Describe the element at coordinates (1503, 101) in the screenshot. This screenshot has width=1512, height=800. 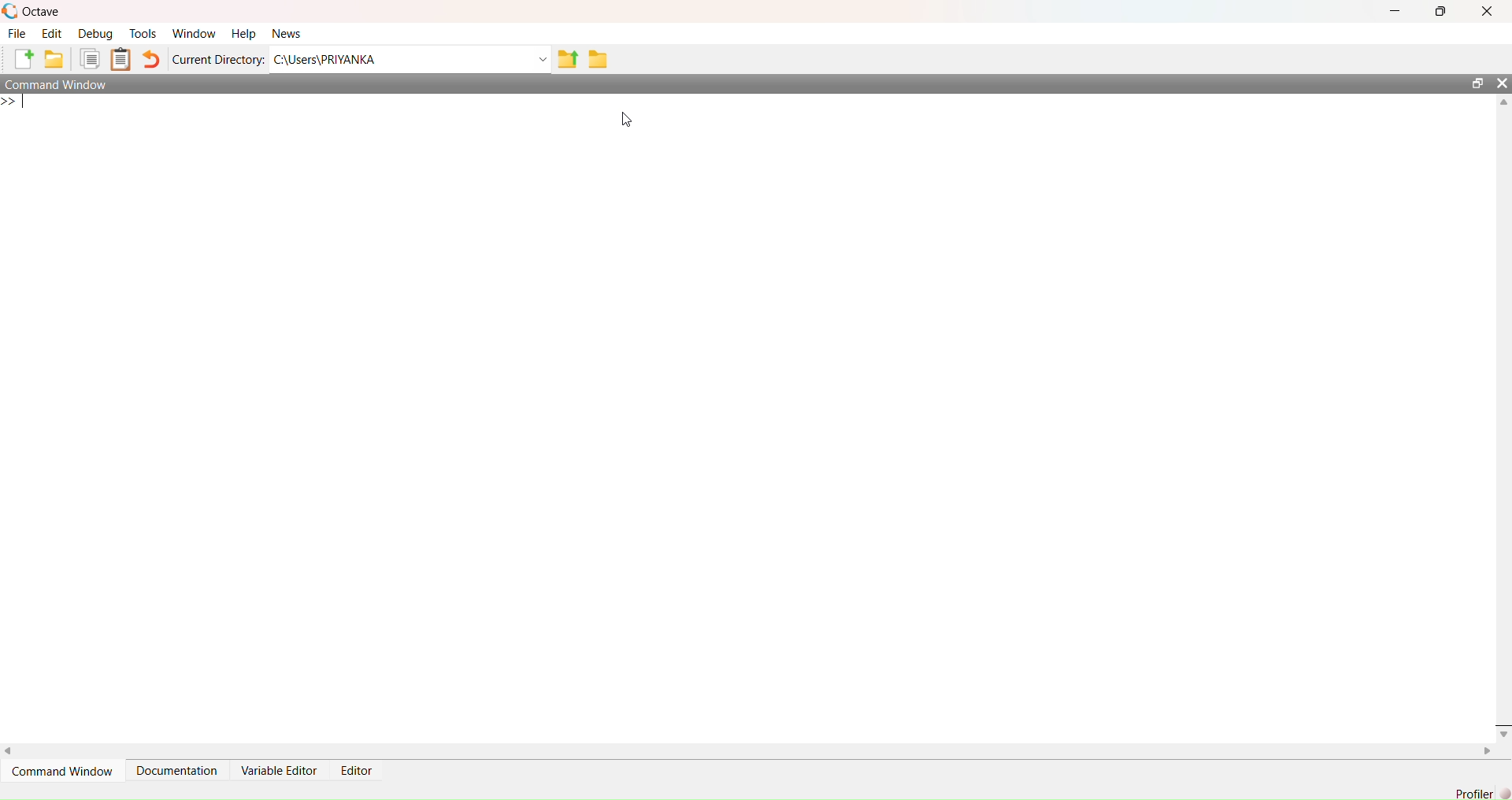
I see `Up` at that location.